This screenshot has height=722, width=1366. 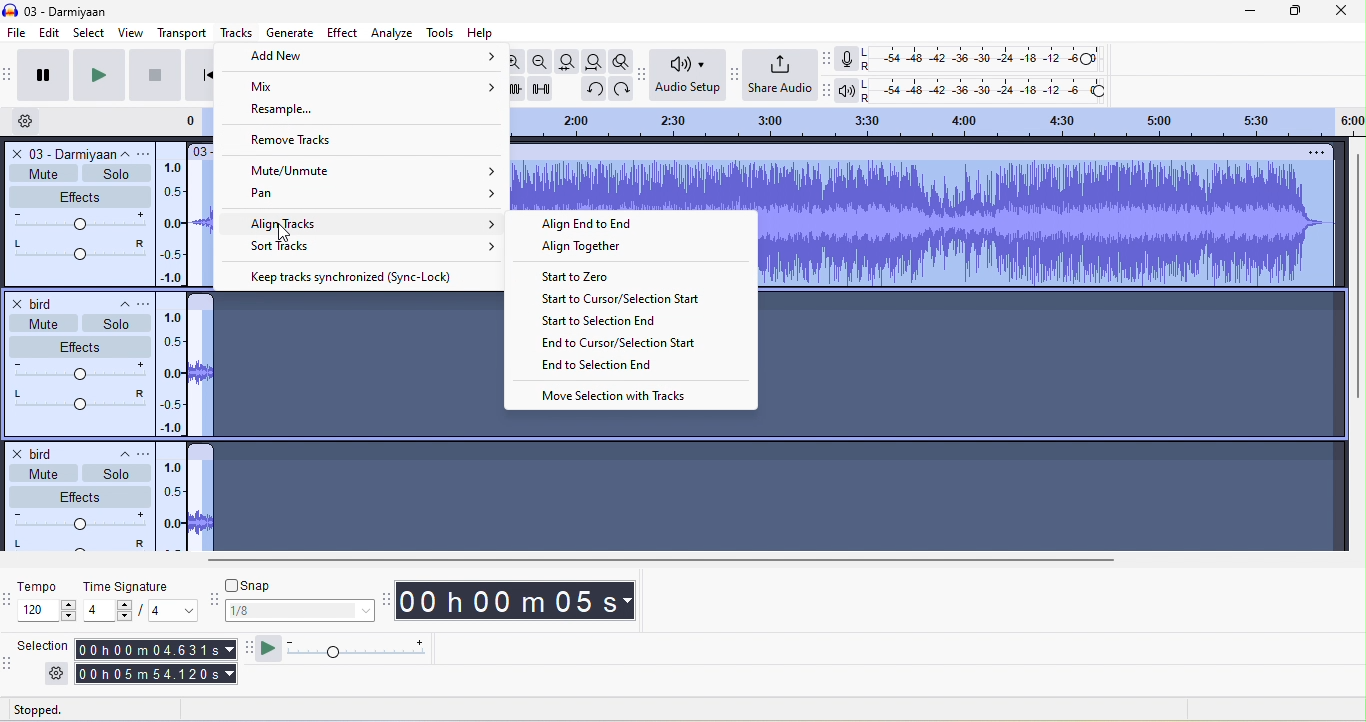 I want to click on tracks, so click(x=236, y=33).